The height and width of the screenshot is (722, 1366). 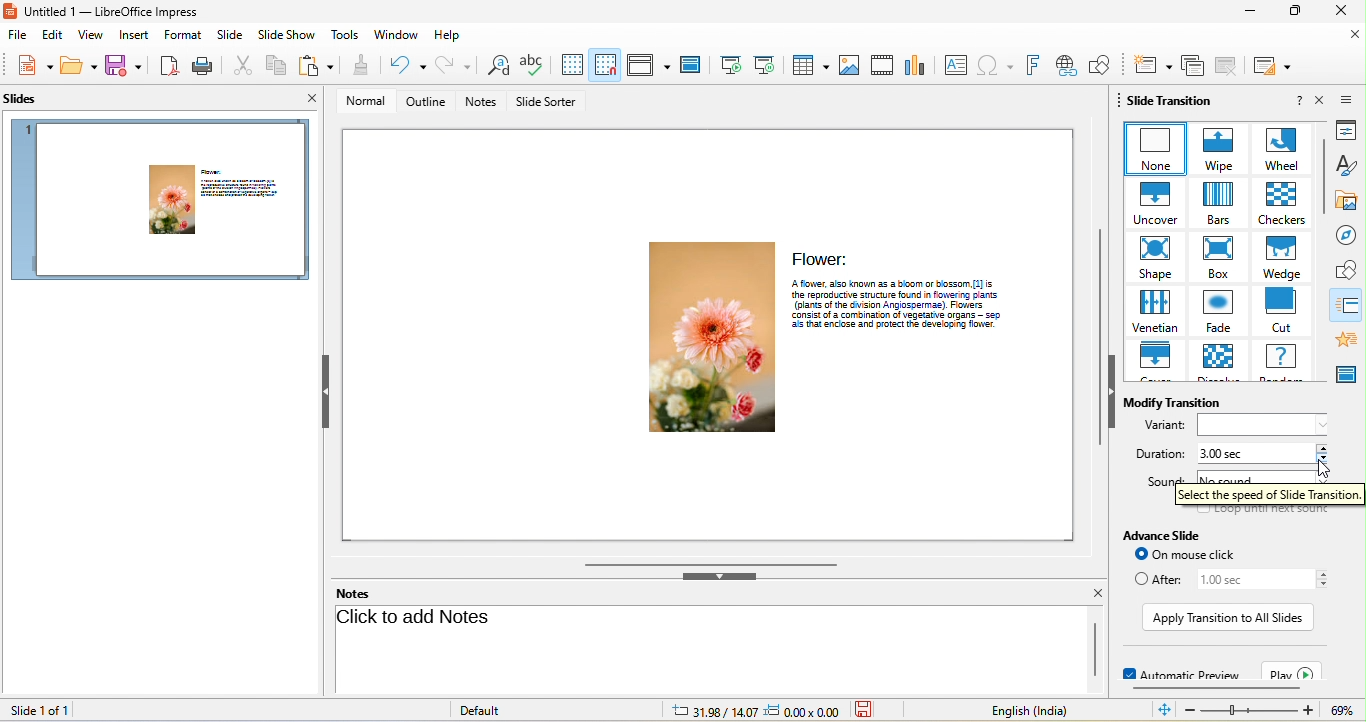 I want to click on slides, so click(x=21, y=99).